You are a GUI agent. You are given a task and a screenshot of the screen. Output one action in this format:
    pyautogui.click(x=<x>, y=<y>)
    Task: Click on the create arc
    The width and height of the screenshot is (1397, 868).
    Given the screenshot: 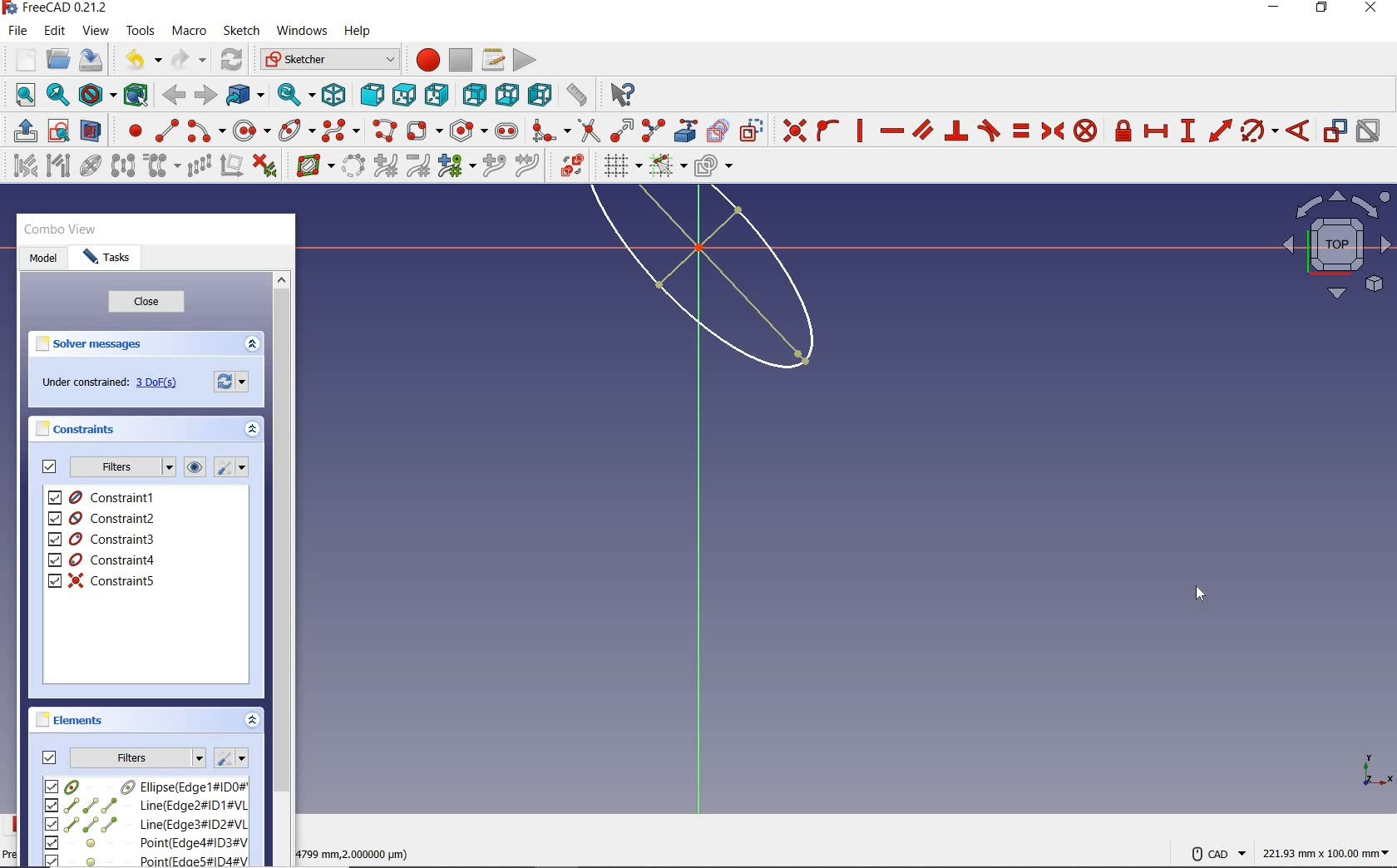 What is the action you would take?
    pyautogui.click(x=206, y=129)
    